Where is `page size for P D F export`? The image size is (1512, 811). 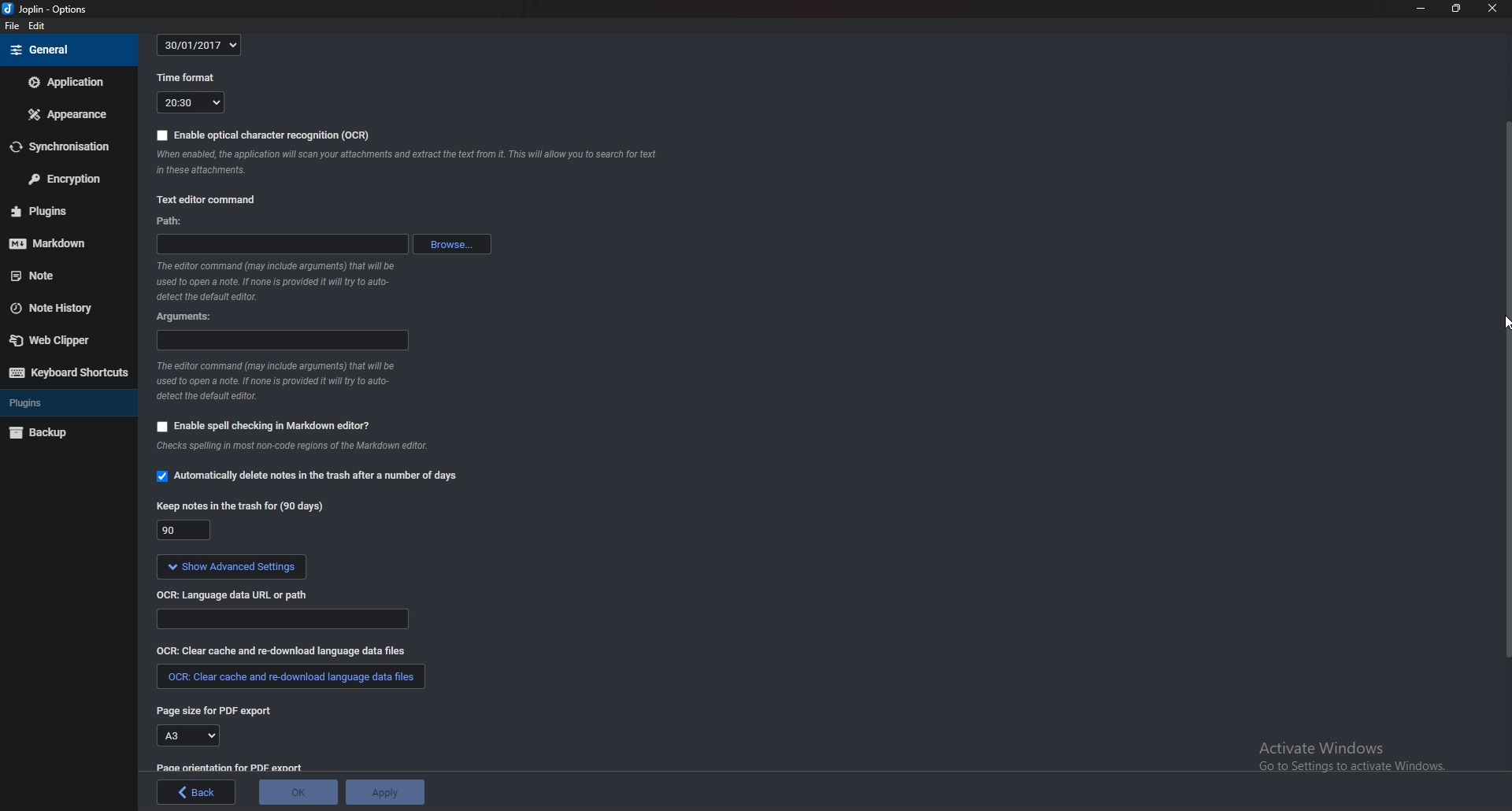 page size for P D F export is located at coordinates (215, 710).